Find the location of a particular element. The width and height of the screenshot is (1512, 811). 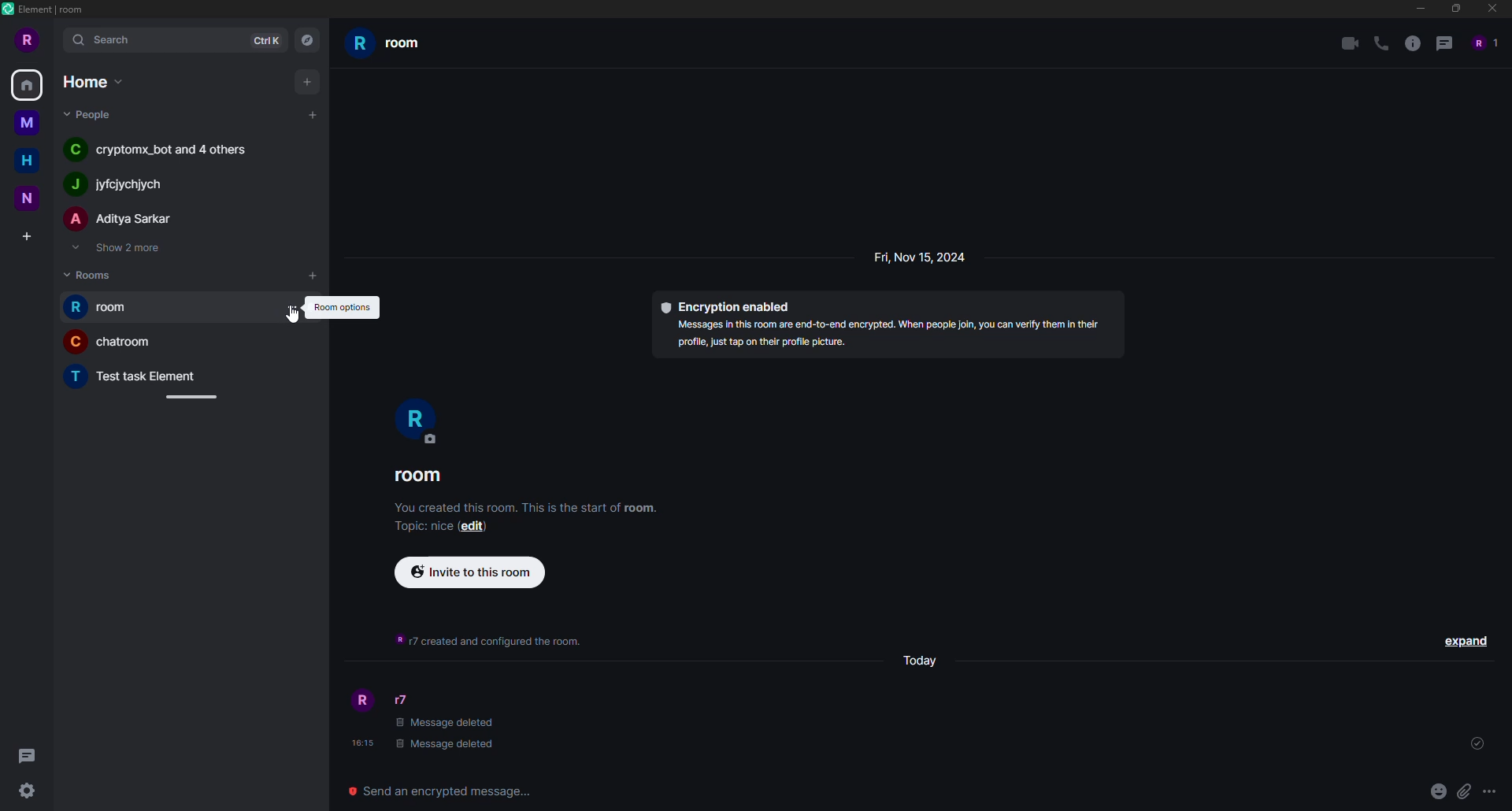

C  cryptomx_bot and 4 others is located at coordinates (164, 154).